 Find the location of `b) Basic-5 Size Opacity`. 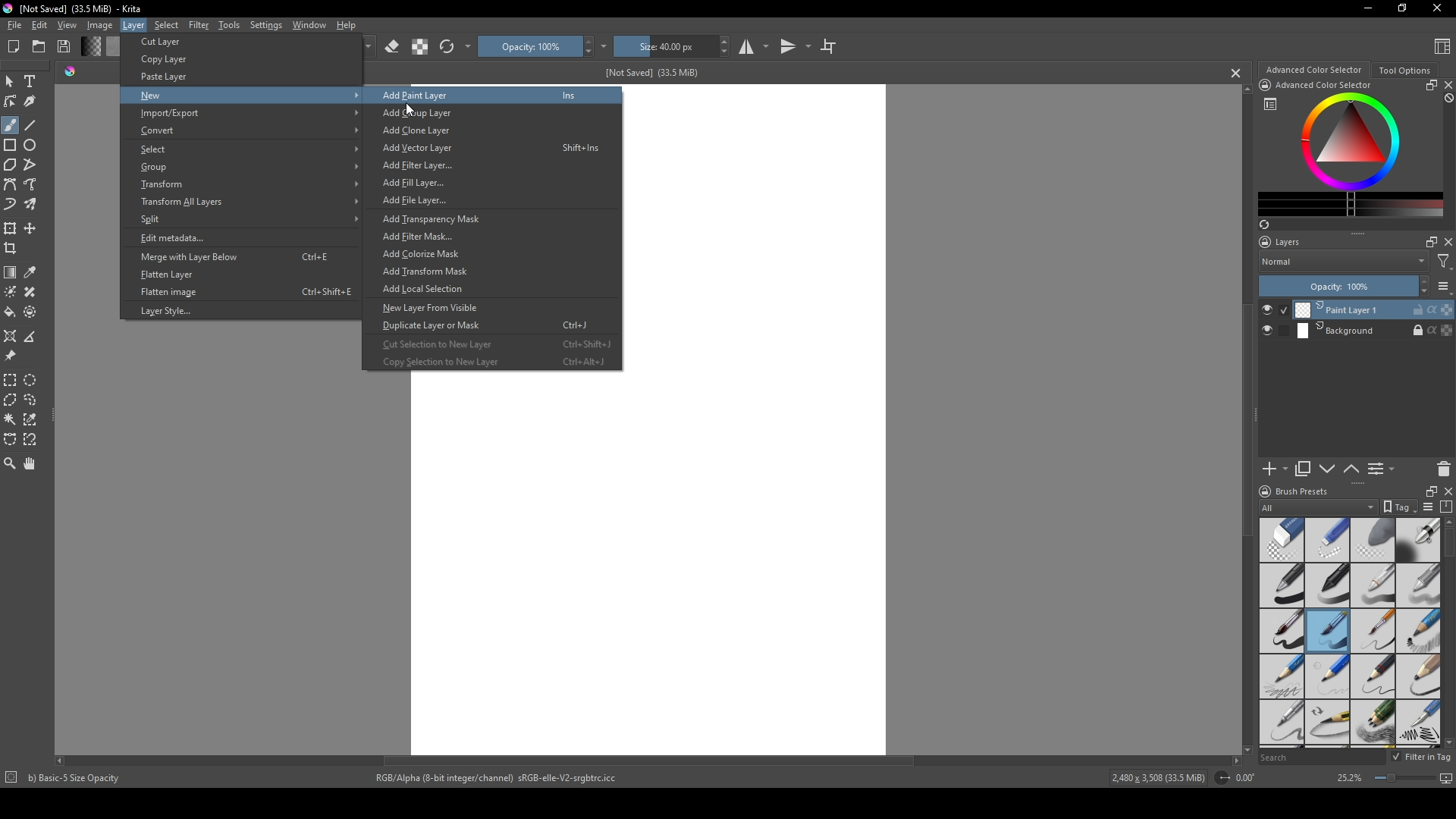

b) Basic-5 Size Opacity is located at coordinates (77, 778).